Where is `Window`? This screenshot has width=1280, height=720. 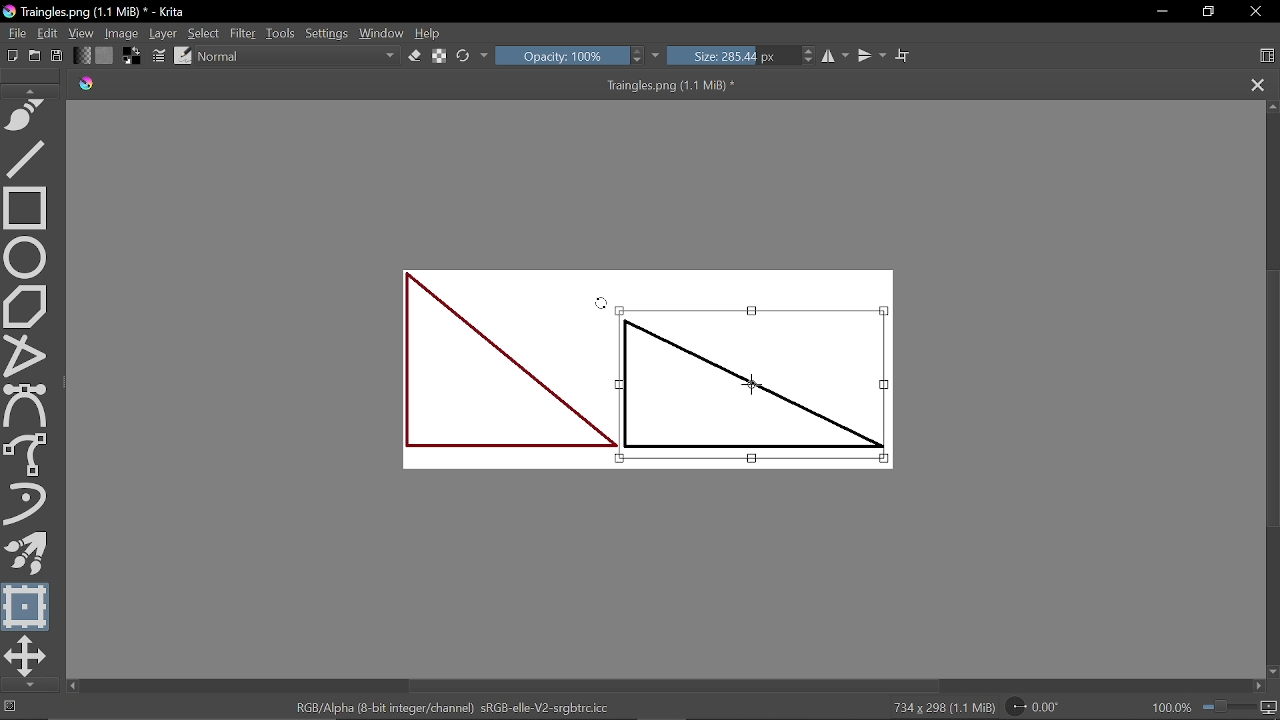 Window is located at coordinates (381, 34).